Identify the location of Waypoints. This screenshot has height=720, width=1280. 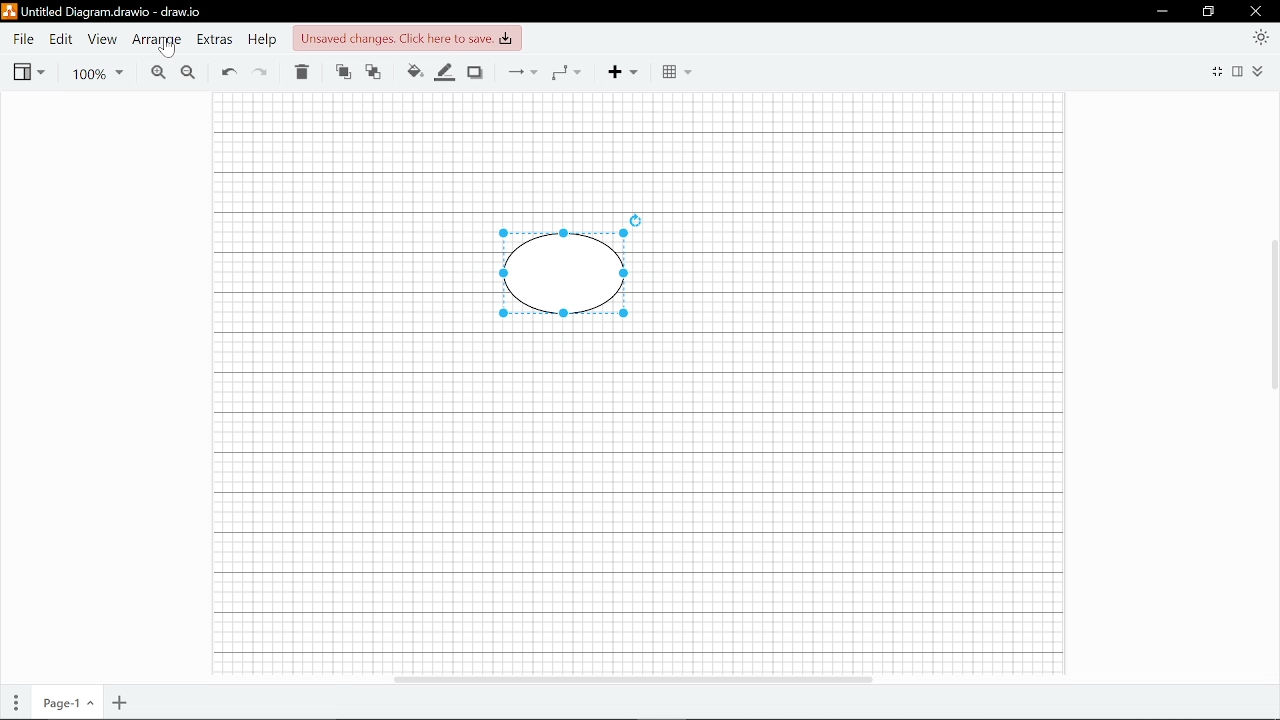
(566, 72).